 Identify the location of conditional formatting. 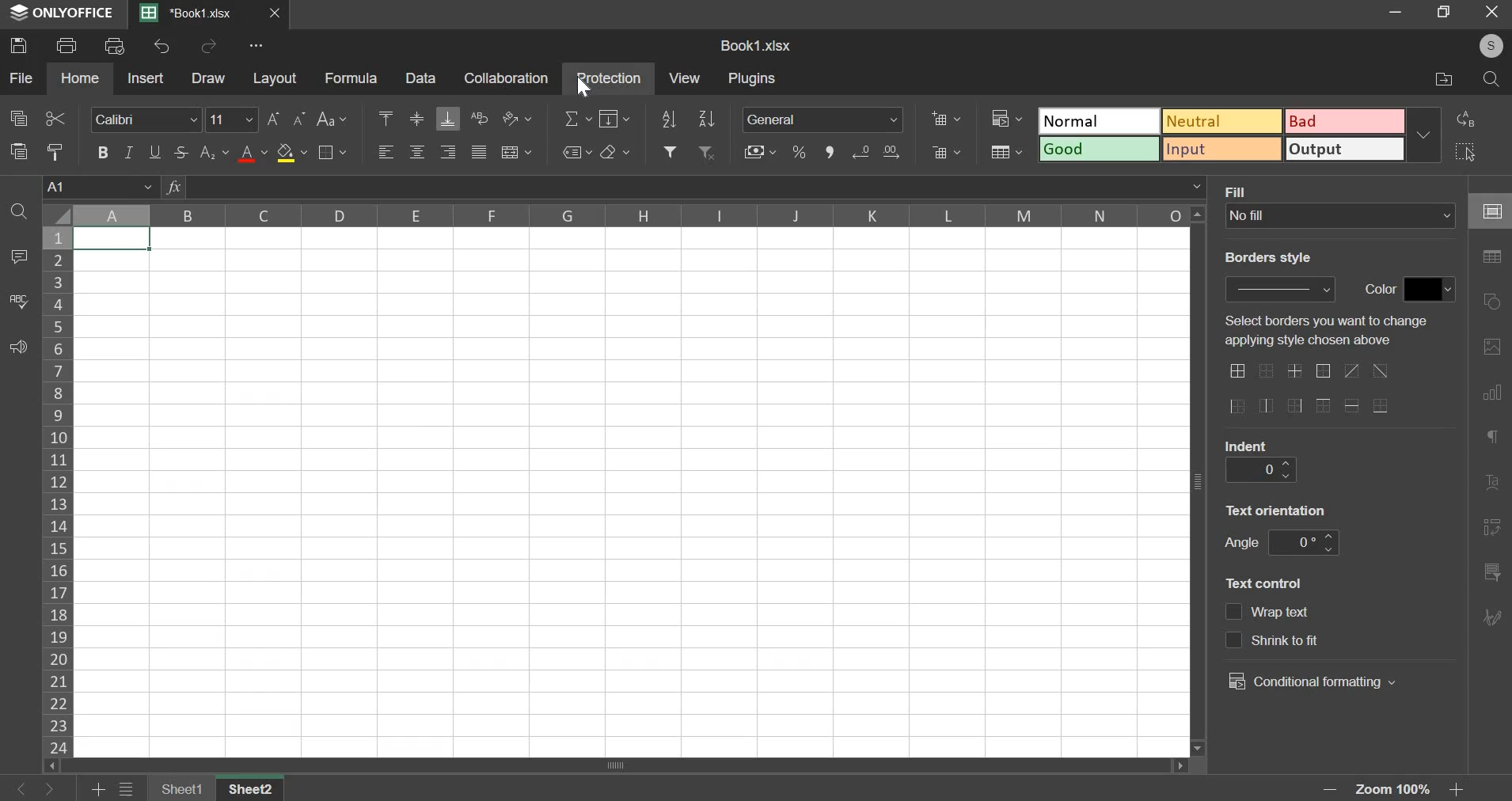
(1311, 681).